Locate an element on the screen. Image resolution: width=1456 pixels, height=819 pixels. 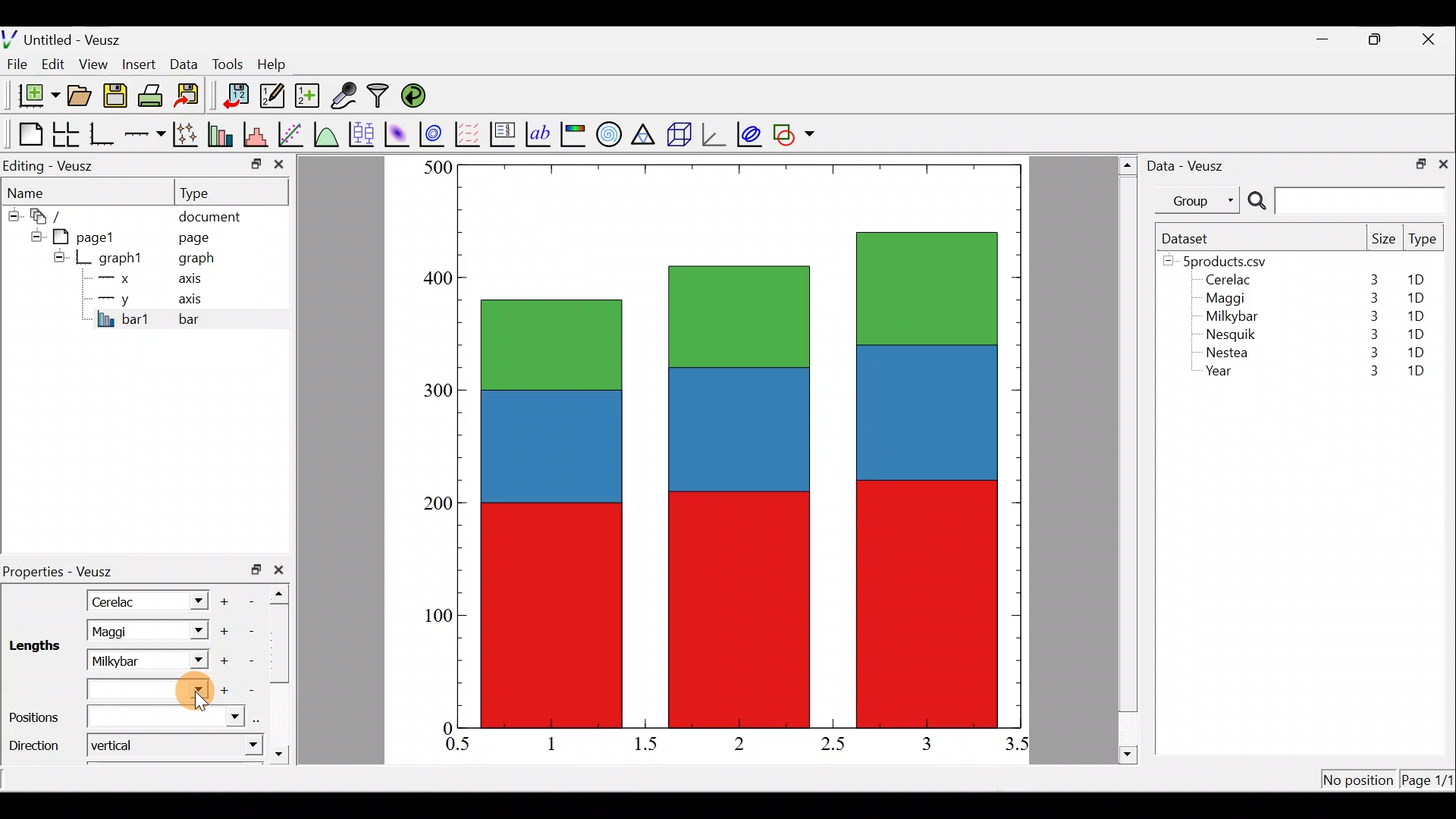
Untitled - Veusz is located at coordinates (67, 37).